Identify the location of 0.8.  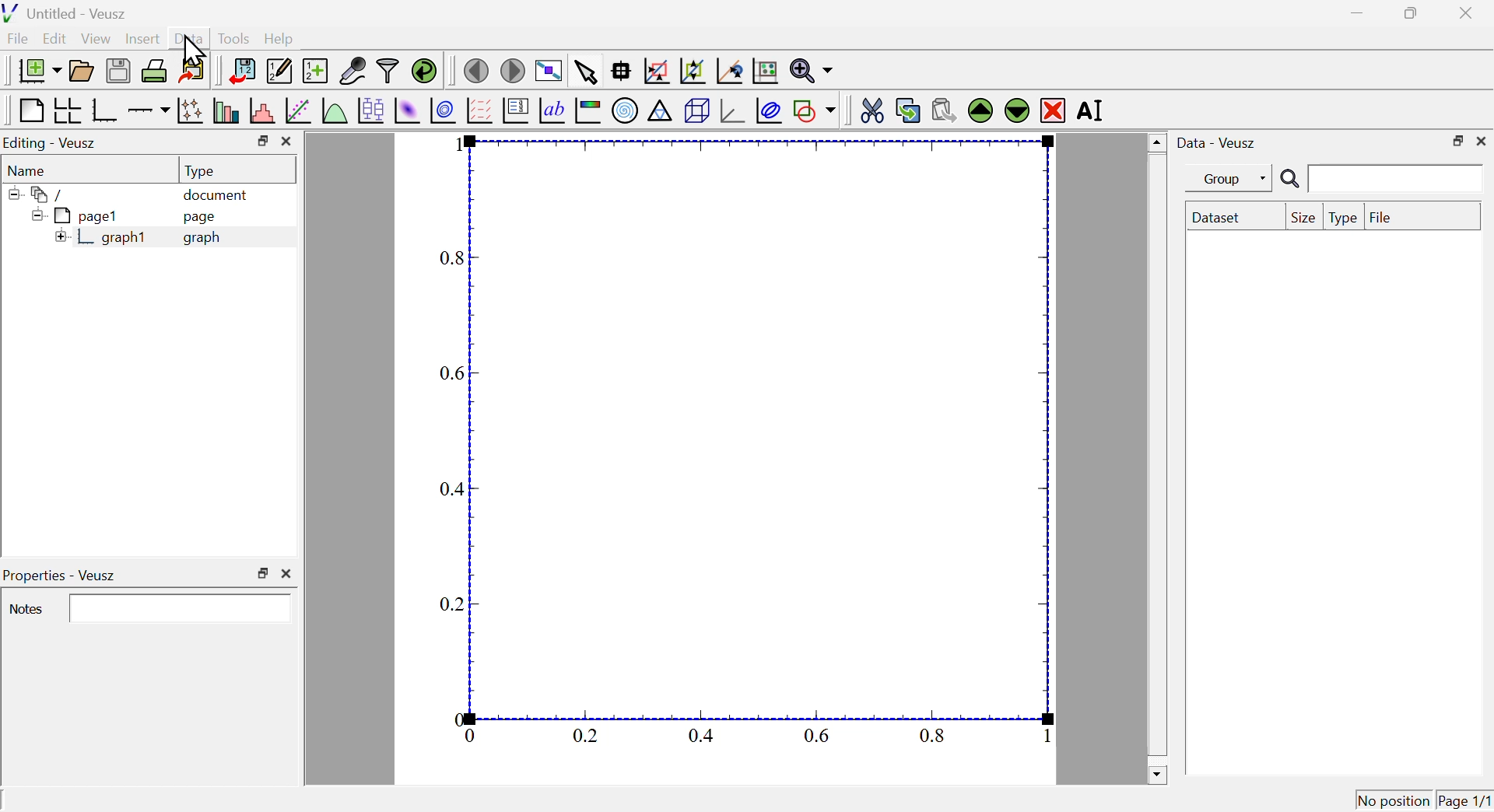
(932, 735).